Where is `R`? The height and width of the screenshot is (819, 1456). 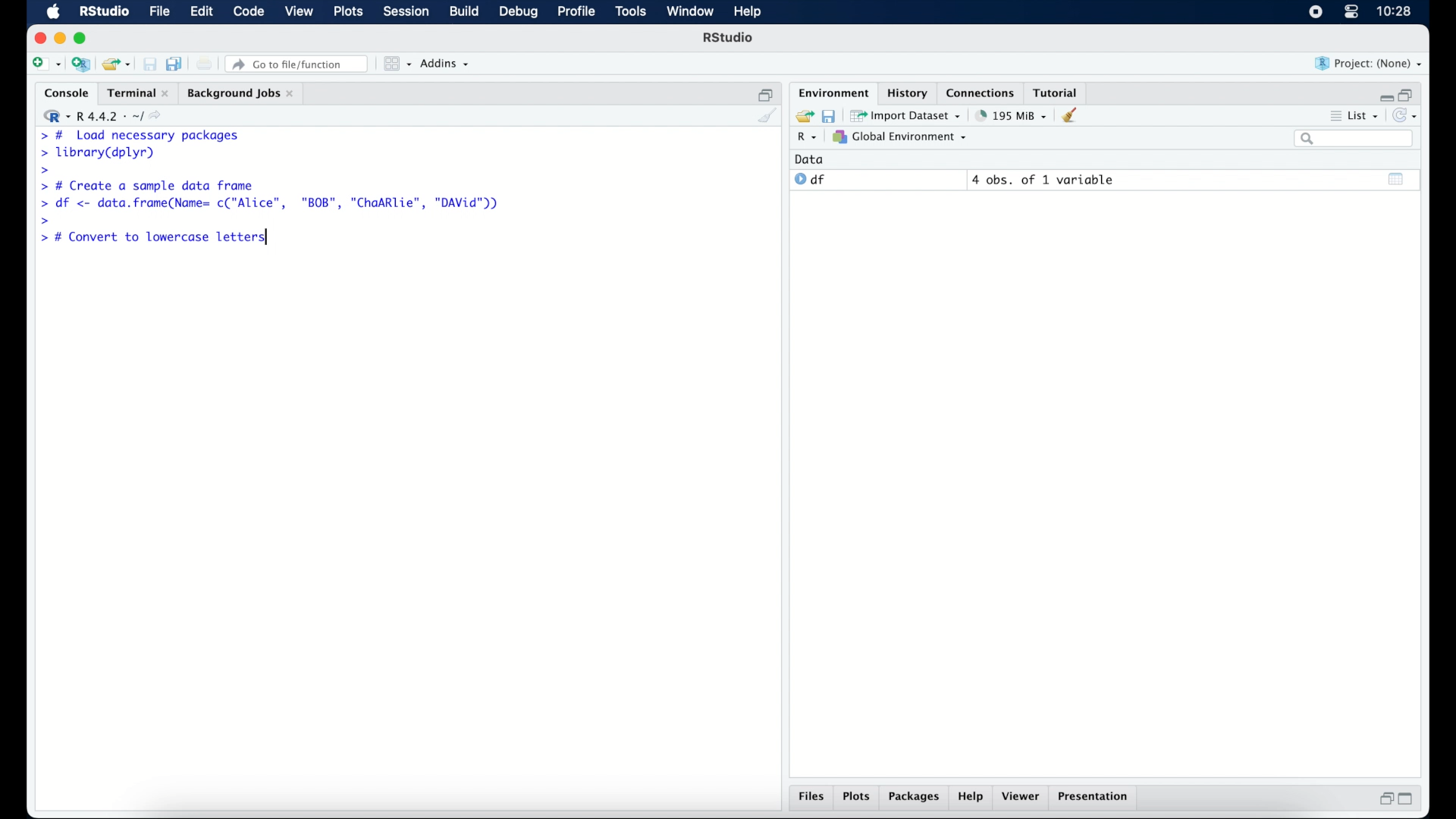 R is located at coordinates (805, 139).